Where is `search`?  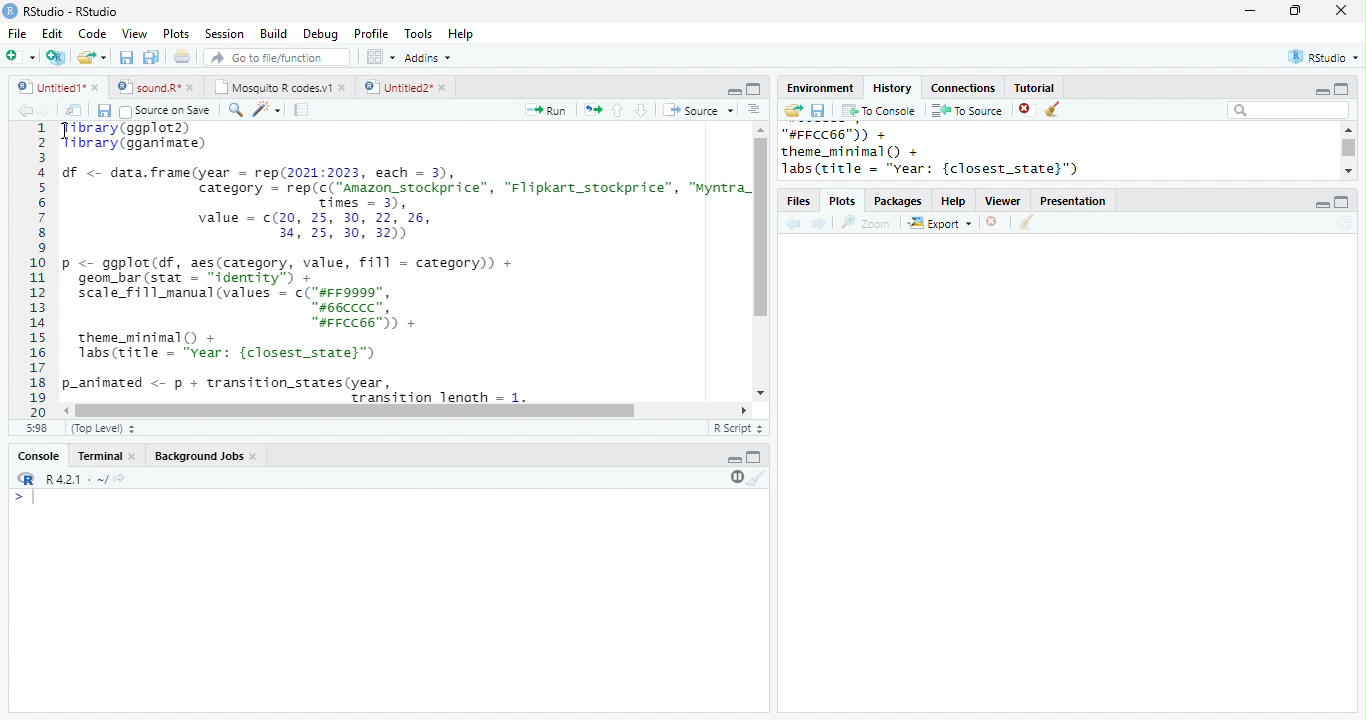 search is located at coordinates (233, 110).